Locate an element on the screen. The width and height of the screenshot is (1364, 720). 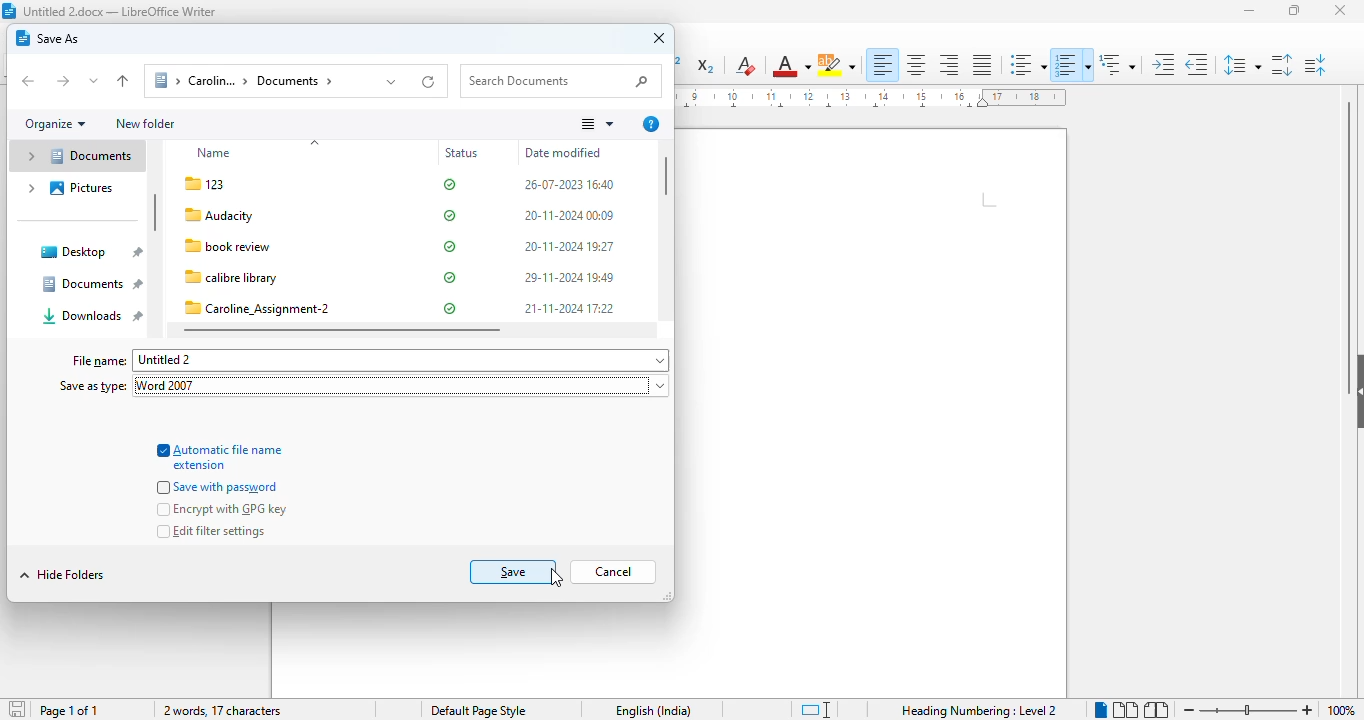
date modified & time is located at coordinates (569, 248).